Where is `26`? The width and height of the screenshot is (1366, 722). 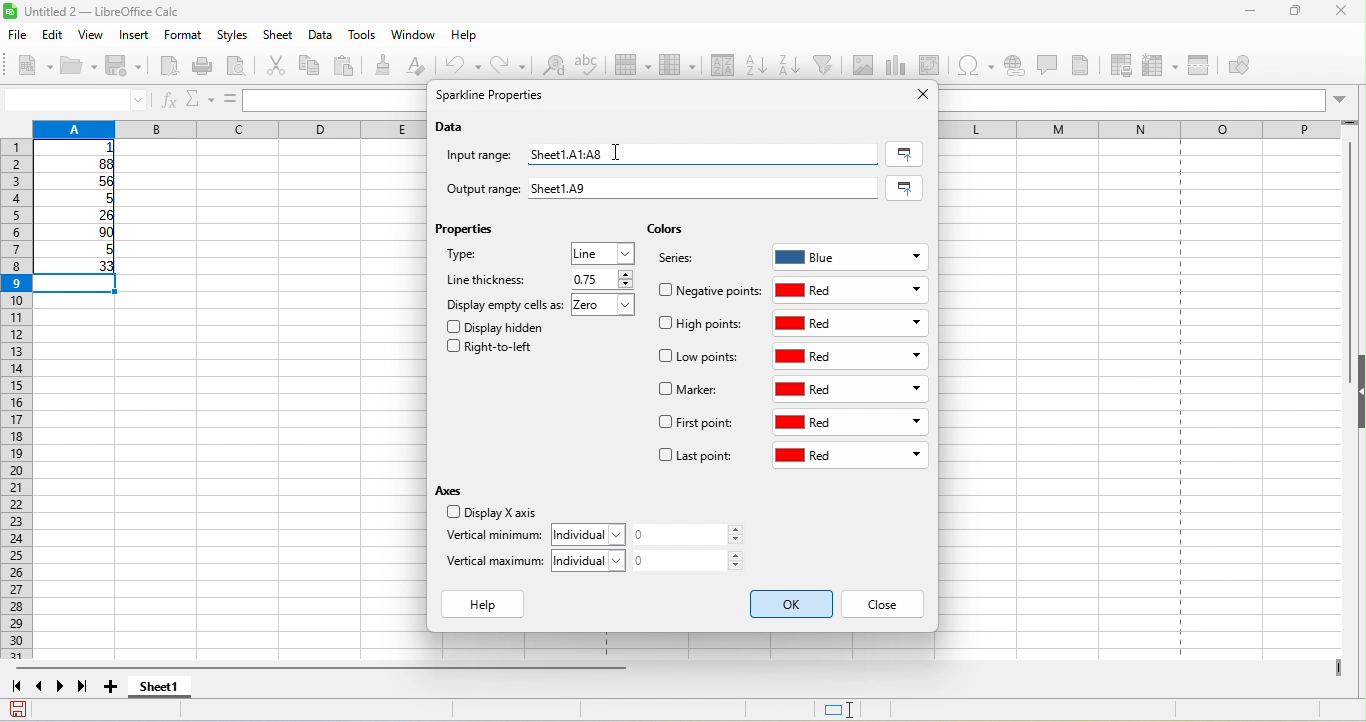
26 is located at coordinates (79, 216).